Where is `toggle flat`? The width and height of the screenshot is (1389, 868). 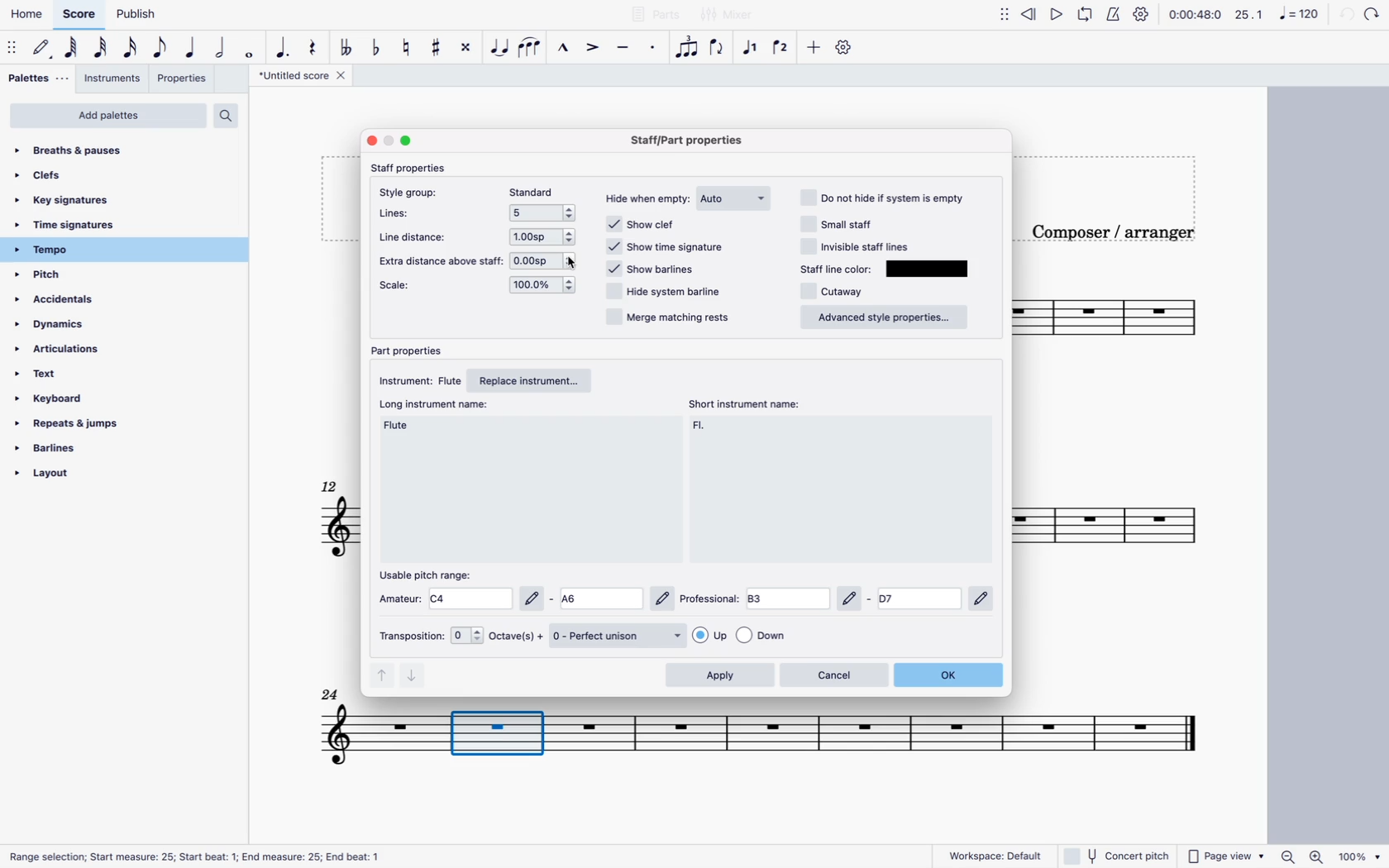 toggle flat is located at coordinates (346, 48).